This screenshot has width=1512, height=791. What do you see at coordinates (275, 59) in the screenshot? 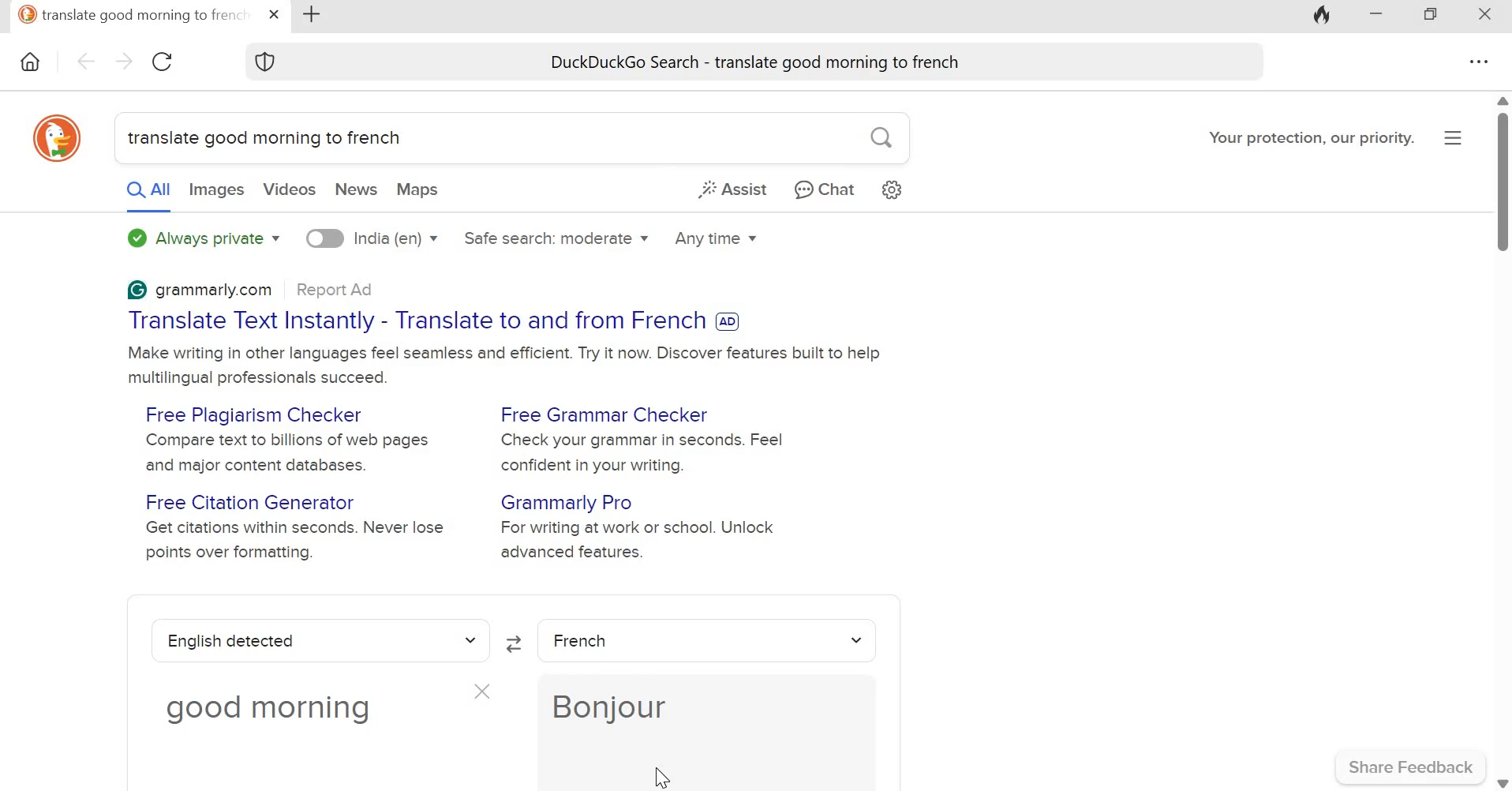
I see `Shield` at bounding box center [275, 59].